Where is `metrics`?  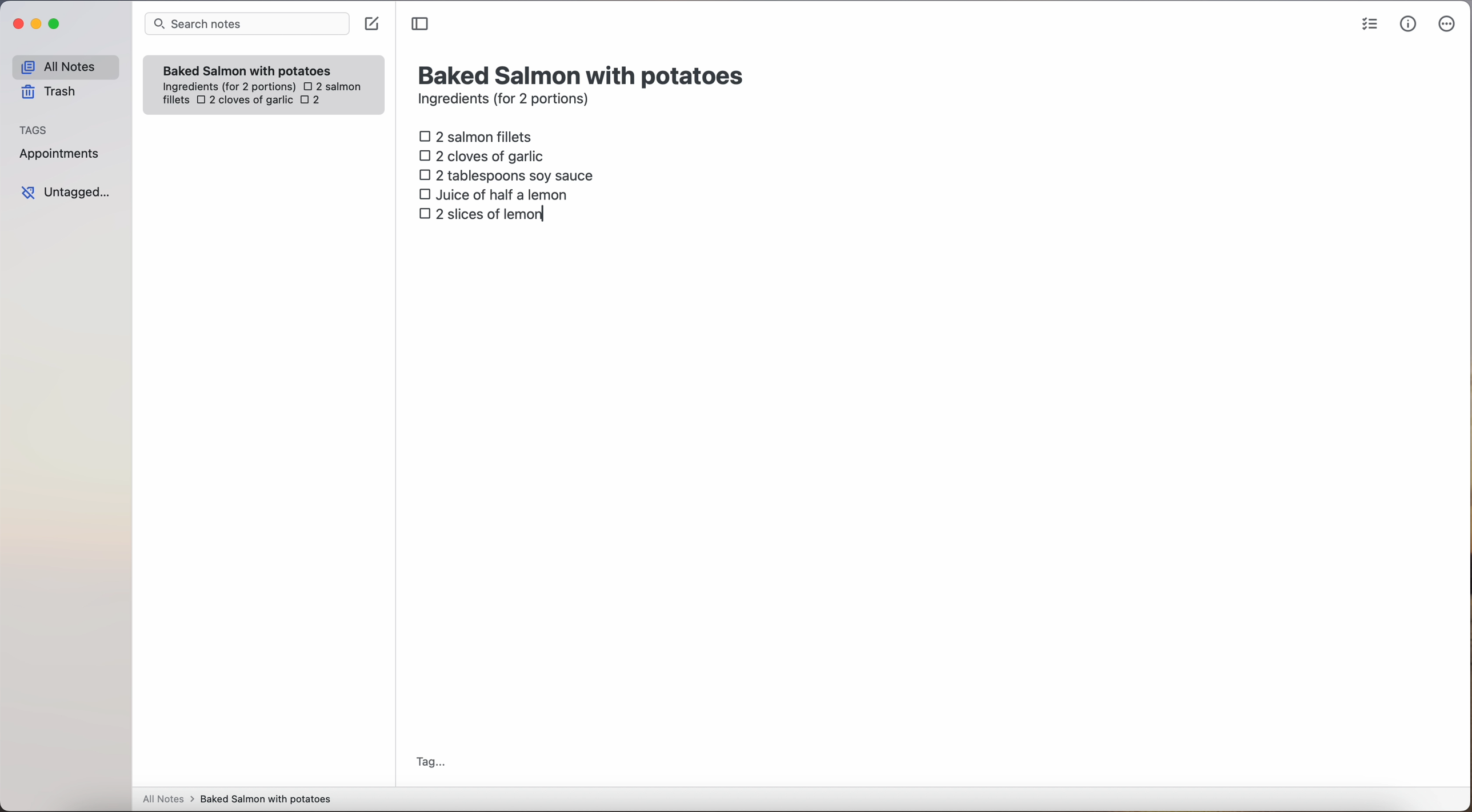
metrics is located at coordinates (1409, 23).